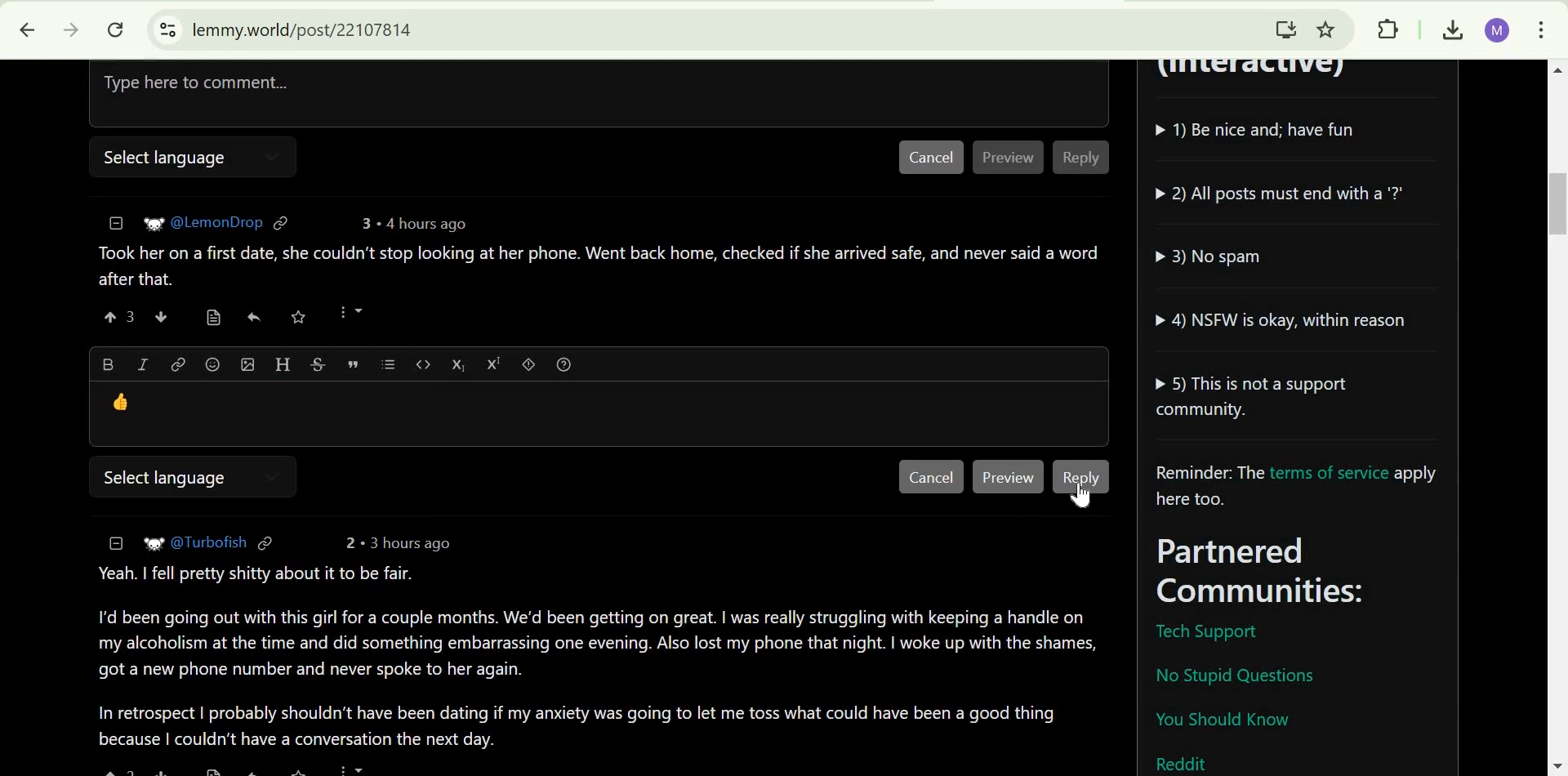 Image resolution: width=1568 pixels, height=776 pixels. Describe the element at coordinates (140, 363) in the screenshot. I see `Italic` at that location.